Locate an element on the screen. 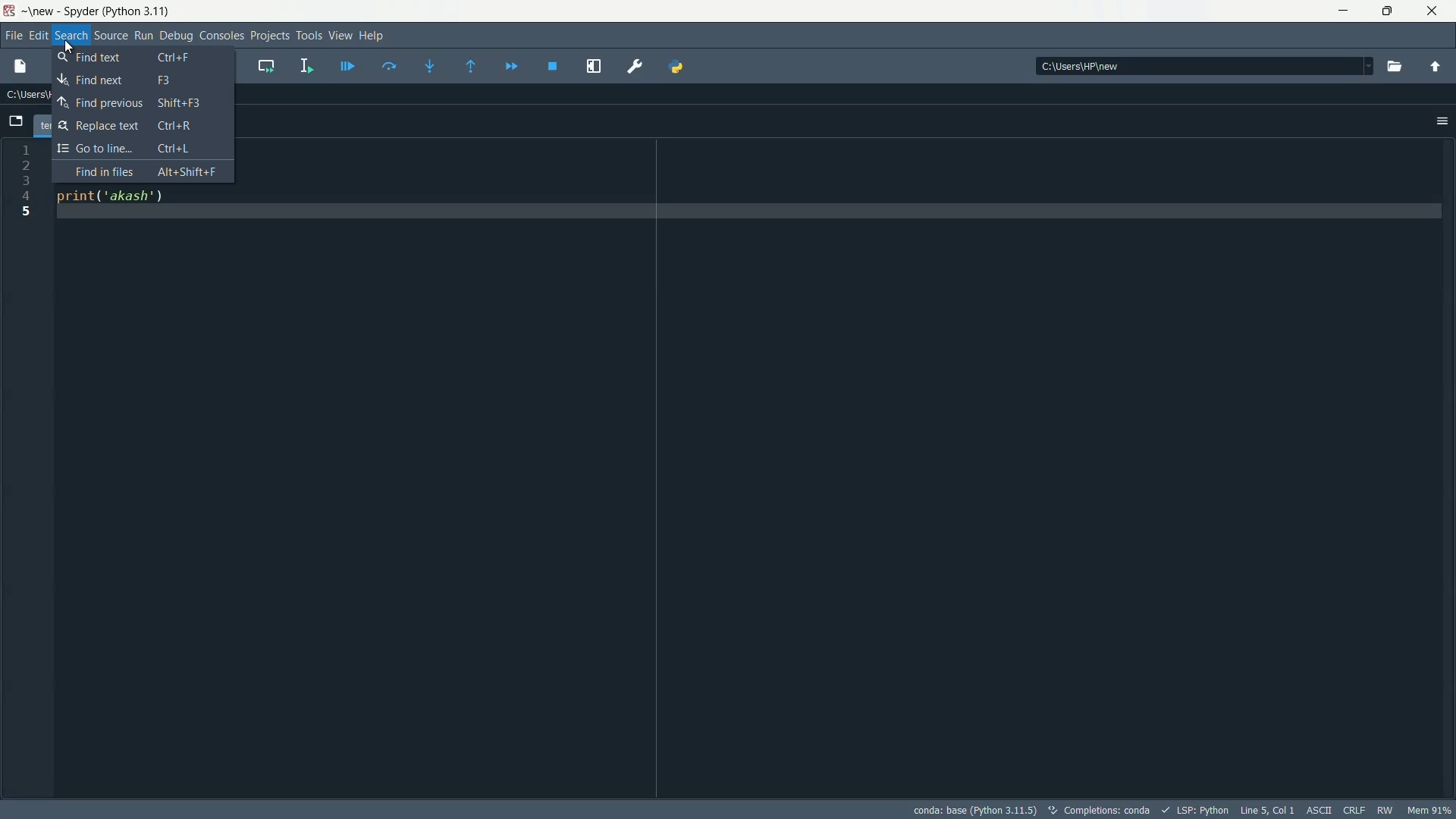 This screenshot has height=819, width=1456. run selection is located at coordinates (306, 65).